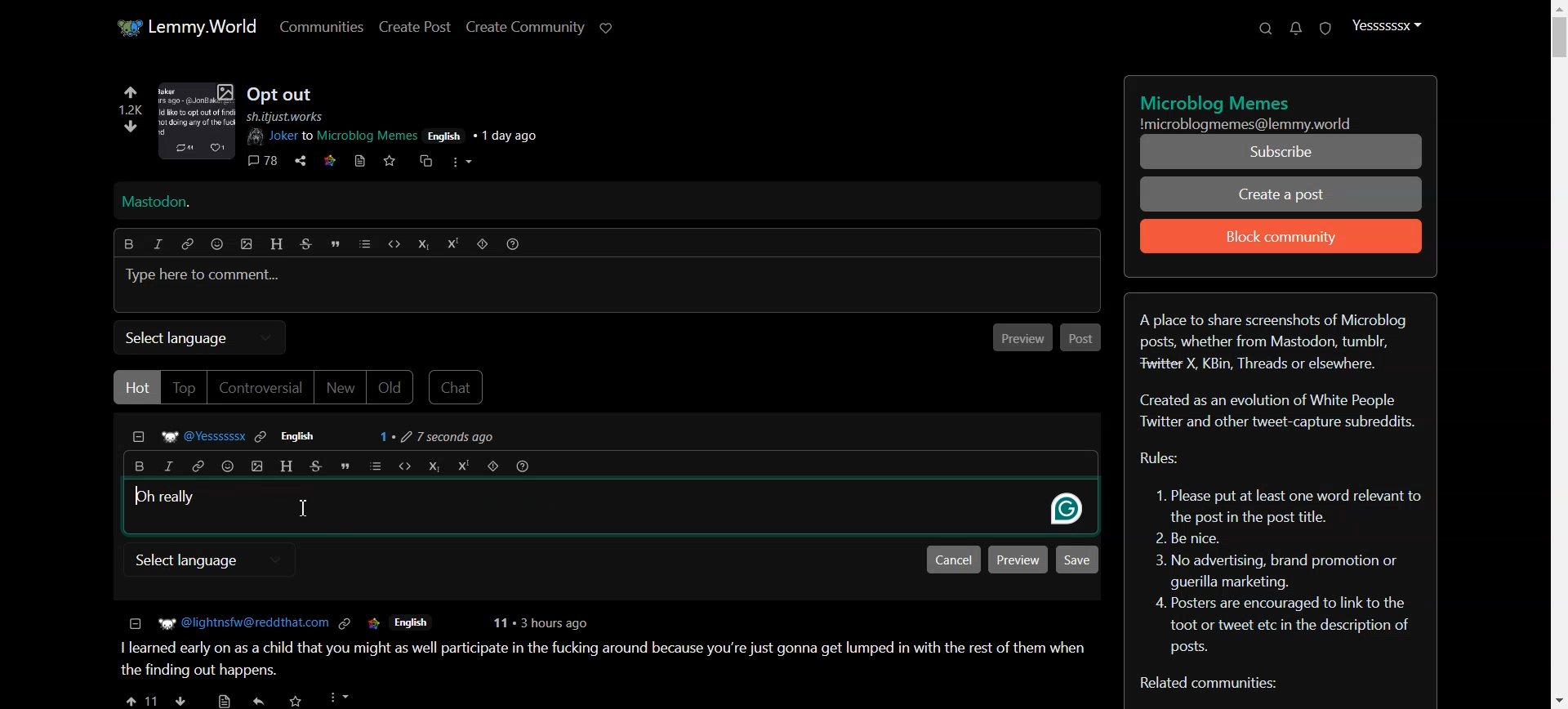  What do you see at coordinates (526, 27) in the screenshot?
I see `Create Community` at bounding box center [526, 27].